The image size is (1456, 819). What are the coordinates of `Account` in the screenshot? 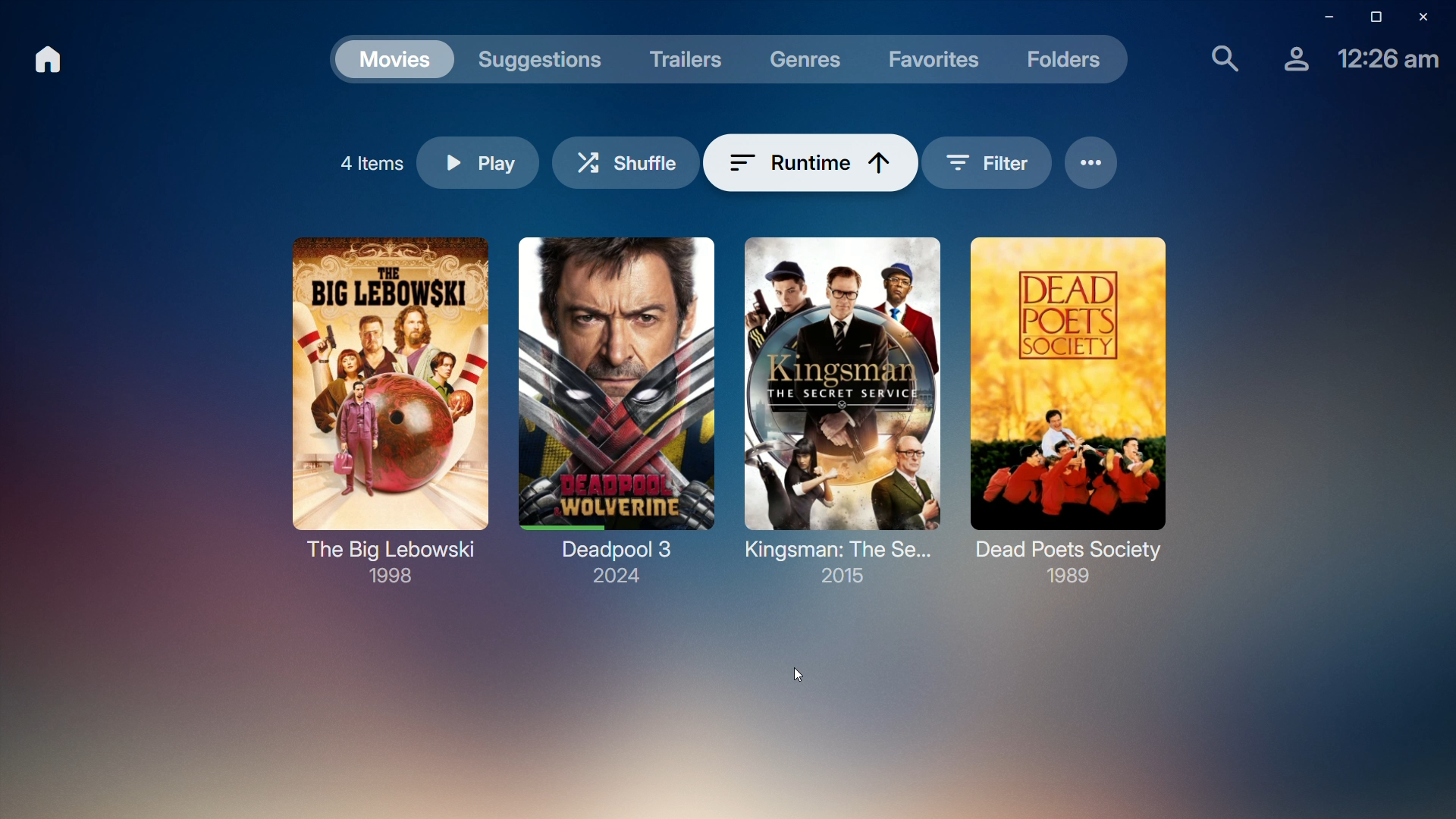 It's located at (1288, 64).